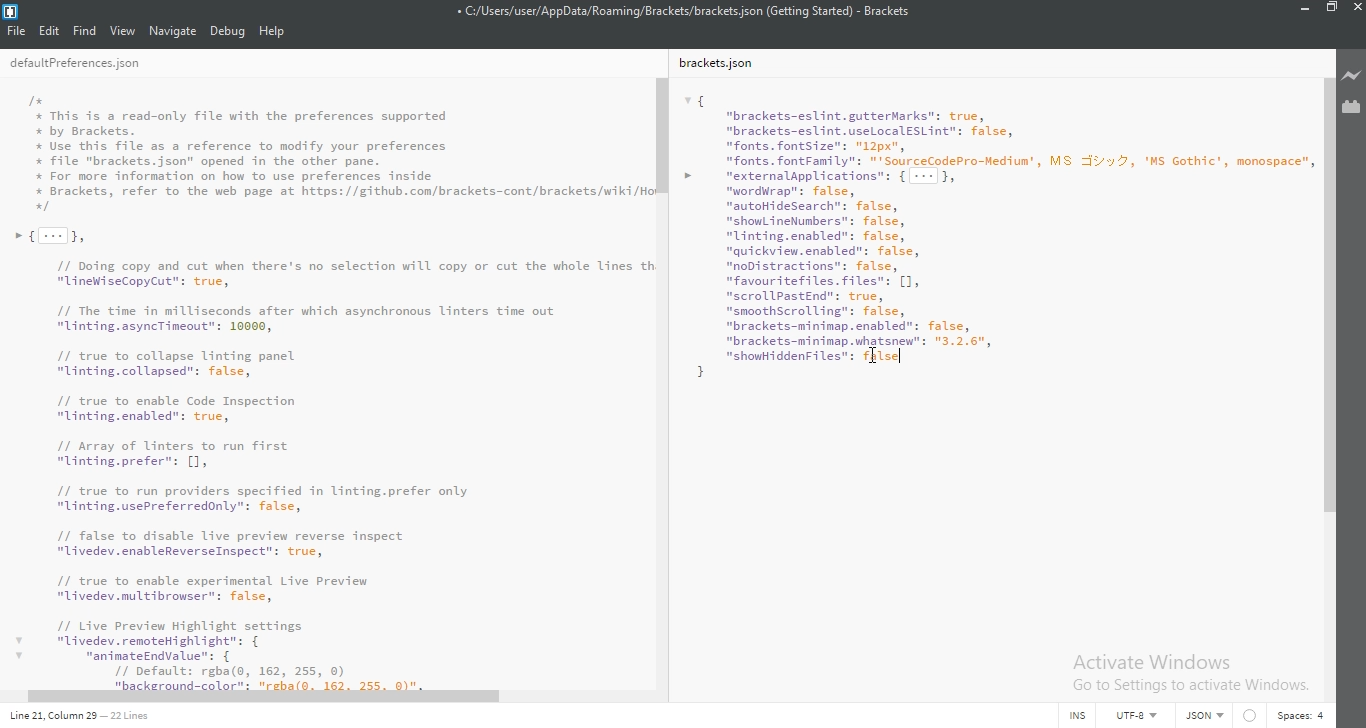 The width and height of the screenshot is (1366, 728). Describe the element at coordinates (1351, 76) in the screenshot. I see `live preview` at that location.